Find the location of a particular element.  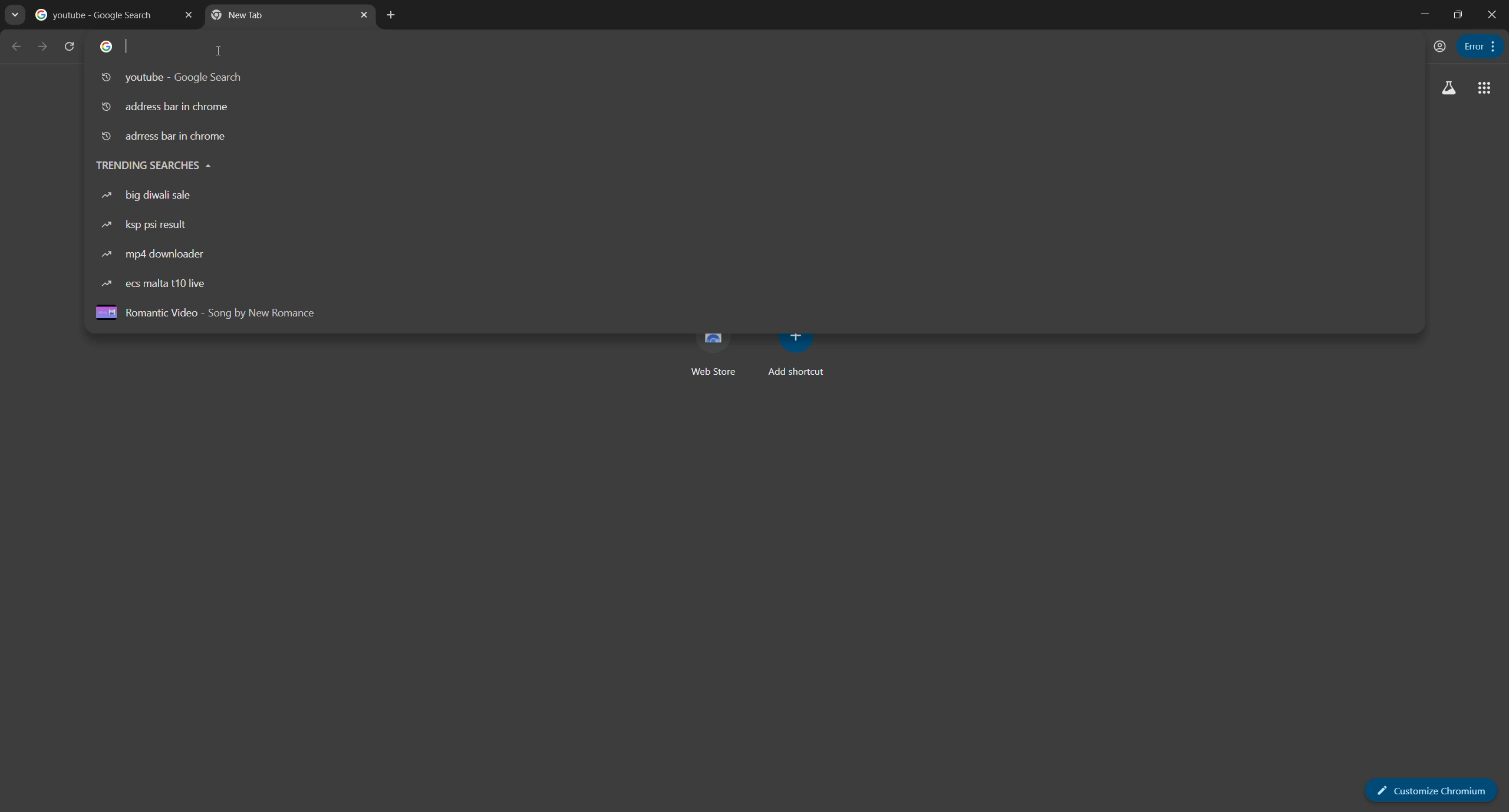

romantic video song by new romance is located at coordinates (207, 313).